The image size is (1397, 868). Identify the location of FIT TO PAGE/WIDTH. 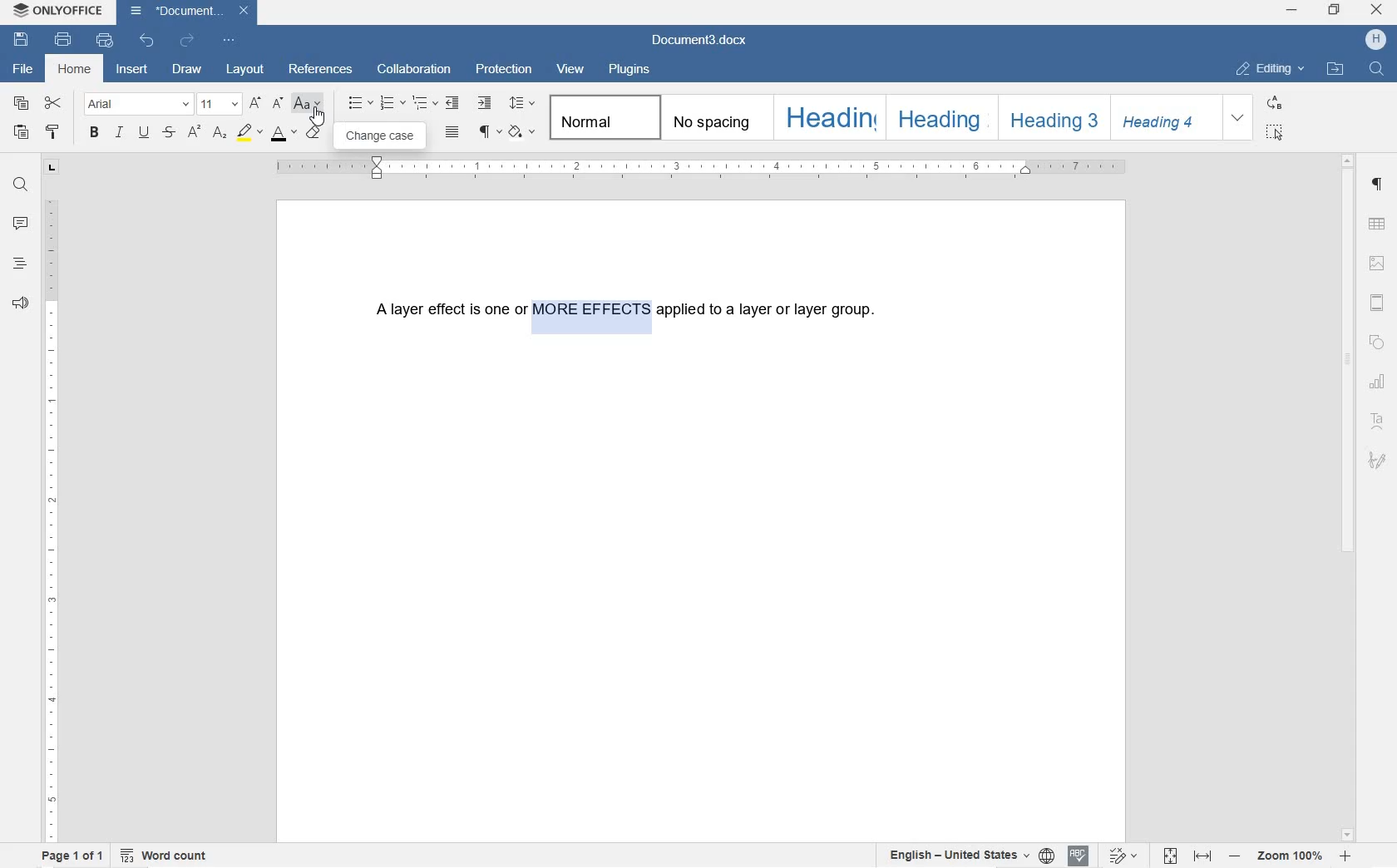
(1191, 857).